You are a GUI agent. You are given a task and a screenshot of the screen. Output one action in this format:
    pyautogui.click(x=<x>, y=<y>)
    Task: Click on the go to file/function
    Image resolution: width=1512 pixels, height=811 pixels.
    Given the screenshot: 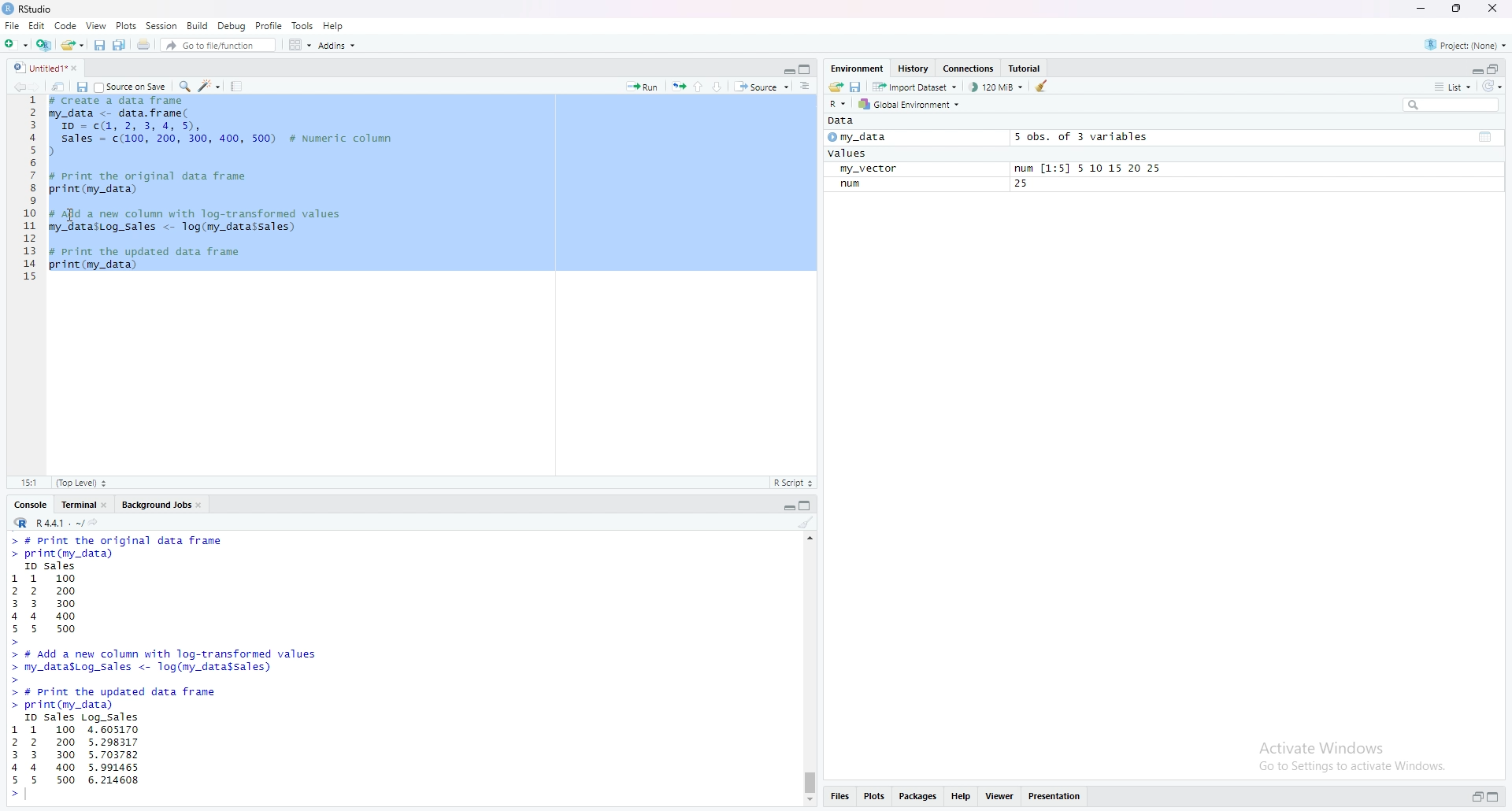 What is the action you would take?
    pyautogui.click(x=218, y=46)
    